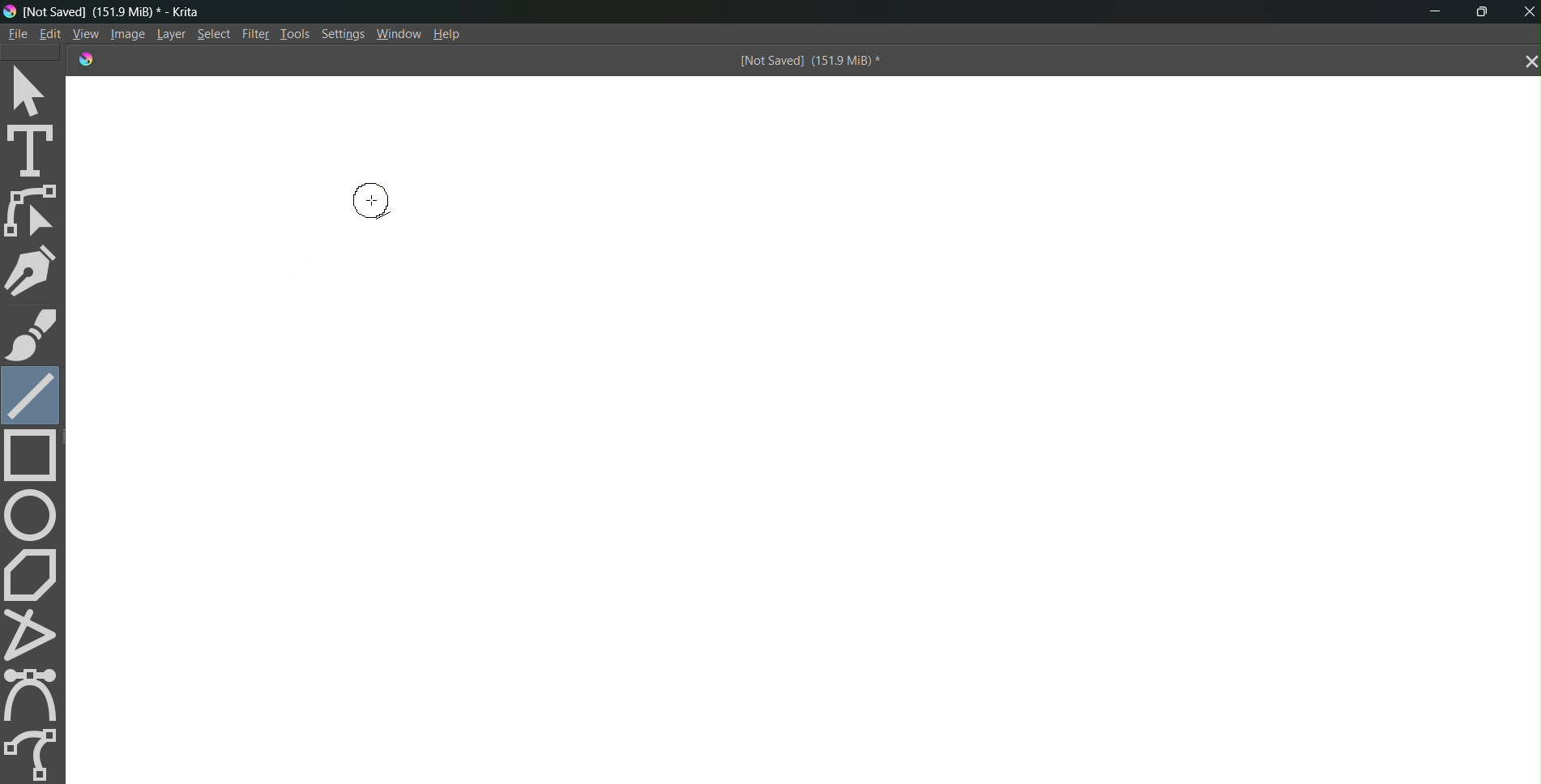  What do you see at coordinates (36, 634) in the screenshot?
I see `polyline` at bounding box center [36, 634].